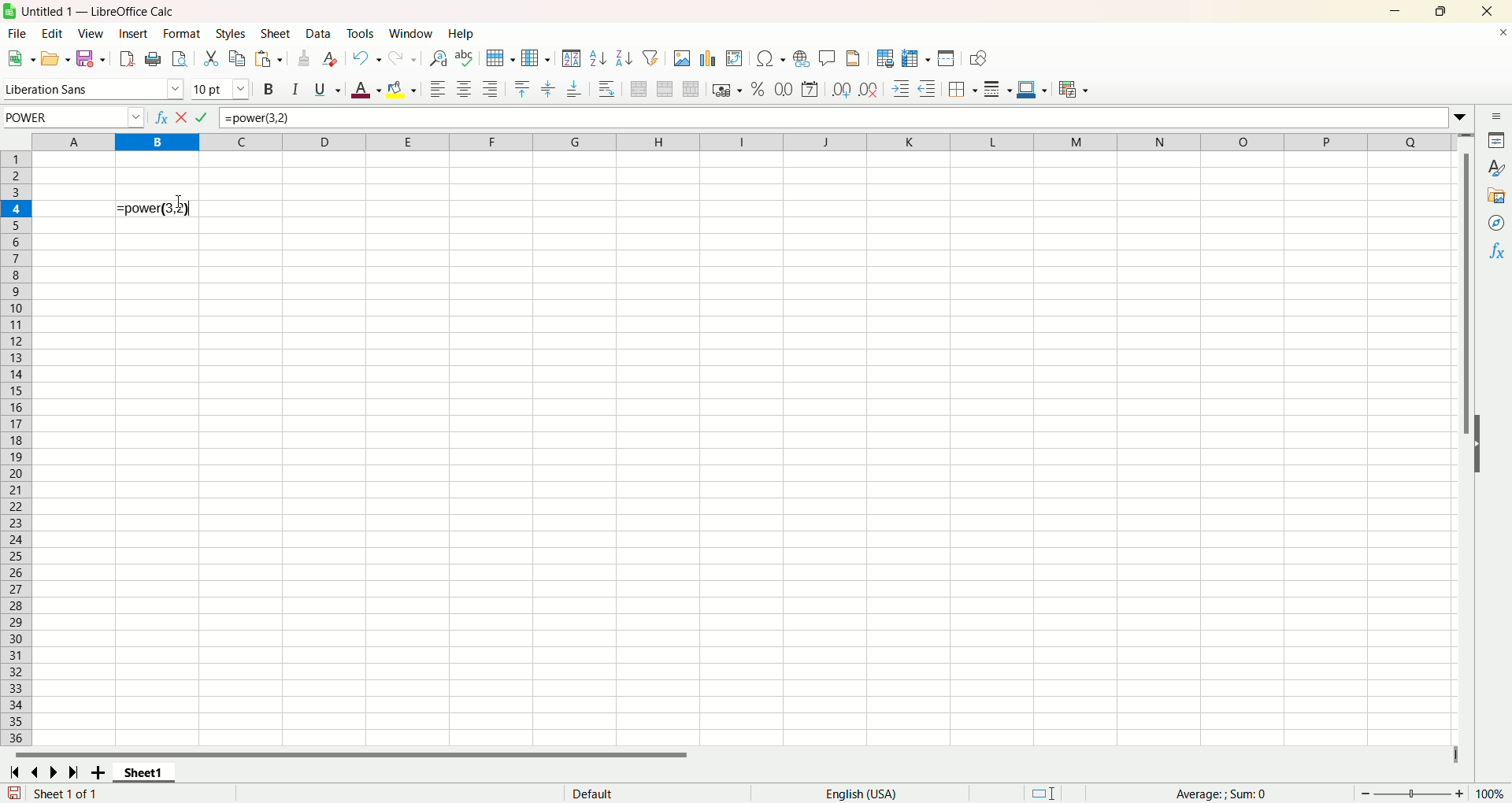 Image resolution: width=1512 pixels, height=803 pixels. I want to click on functions, so click(1499, 250).